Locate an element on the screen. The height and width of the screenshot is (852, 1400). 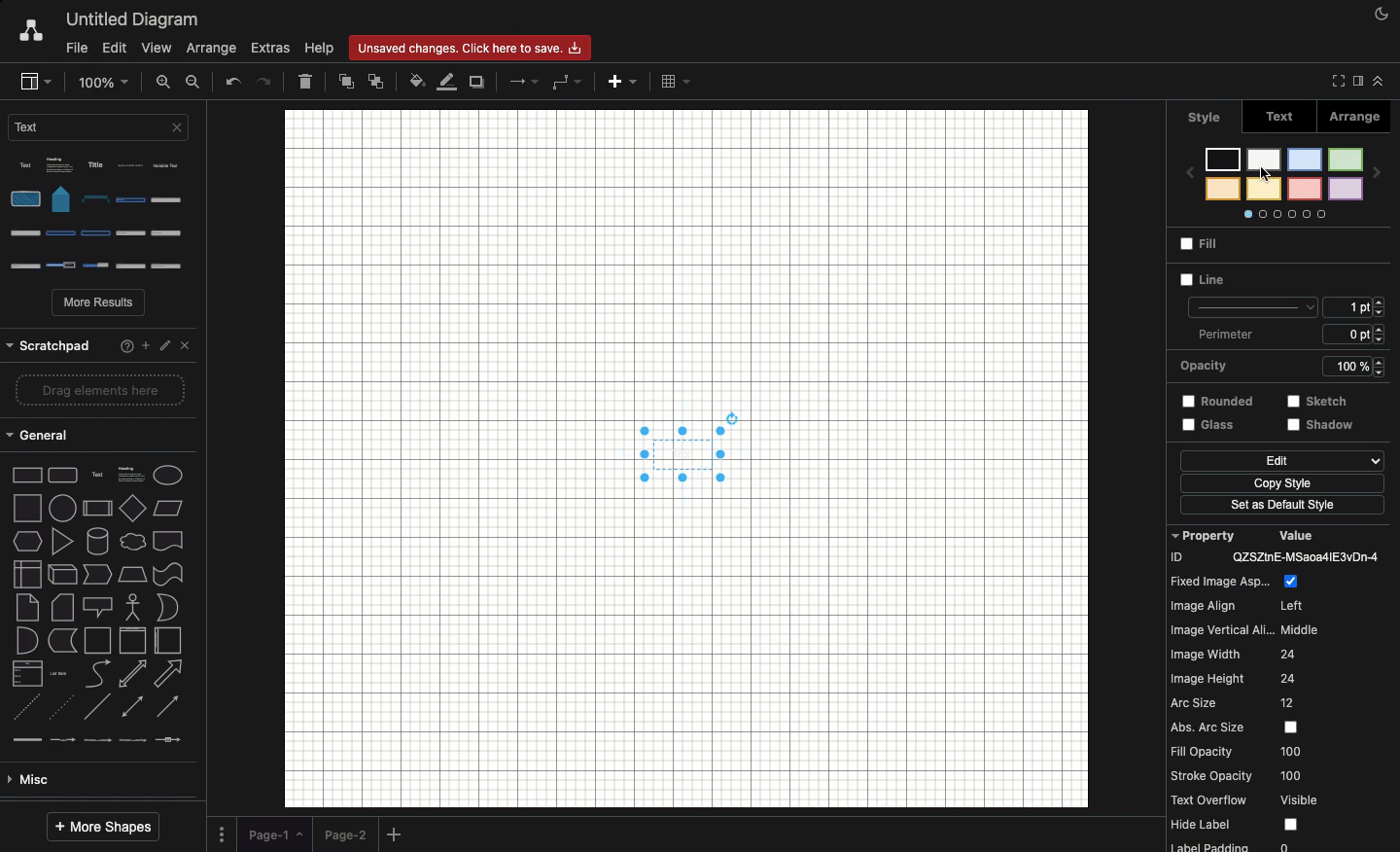
Waypoints is located at coordinates (567, 83).